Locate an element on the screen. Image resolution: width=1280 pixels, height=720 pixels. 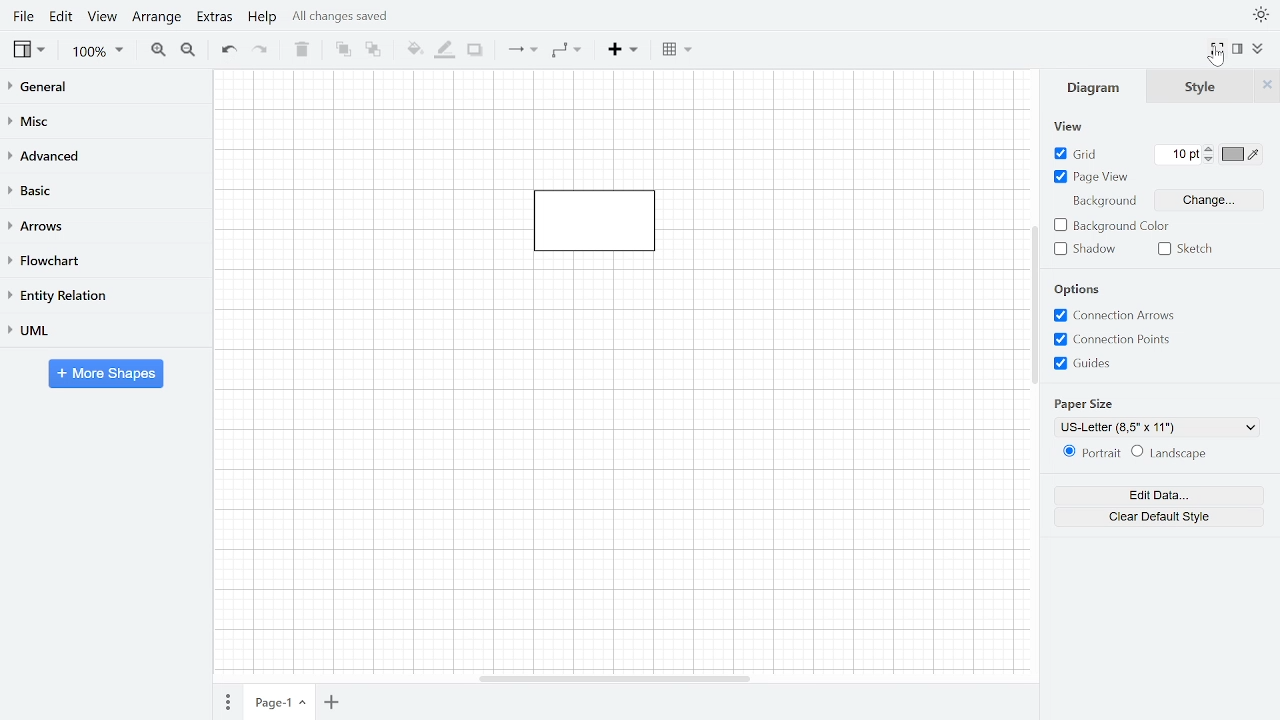
To back is located at coordinates (373, 51).